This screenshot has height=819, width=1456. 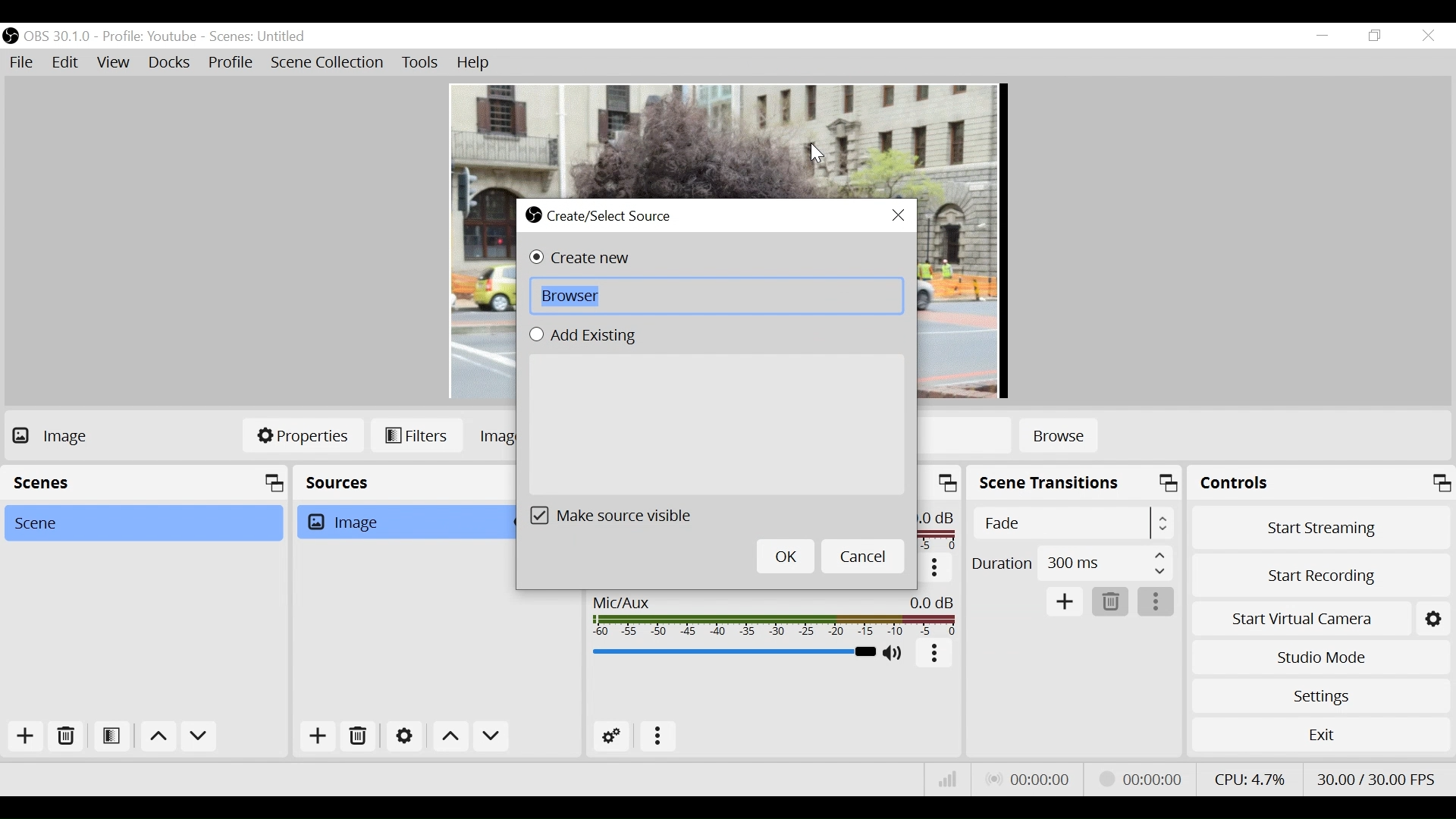 I want to click on Controls, so click(x=1323, y=482).